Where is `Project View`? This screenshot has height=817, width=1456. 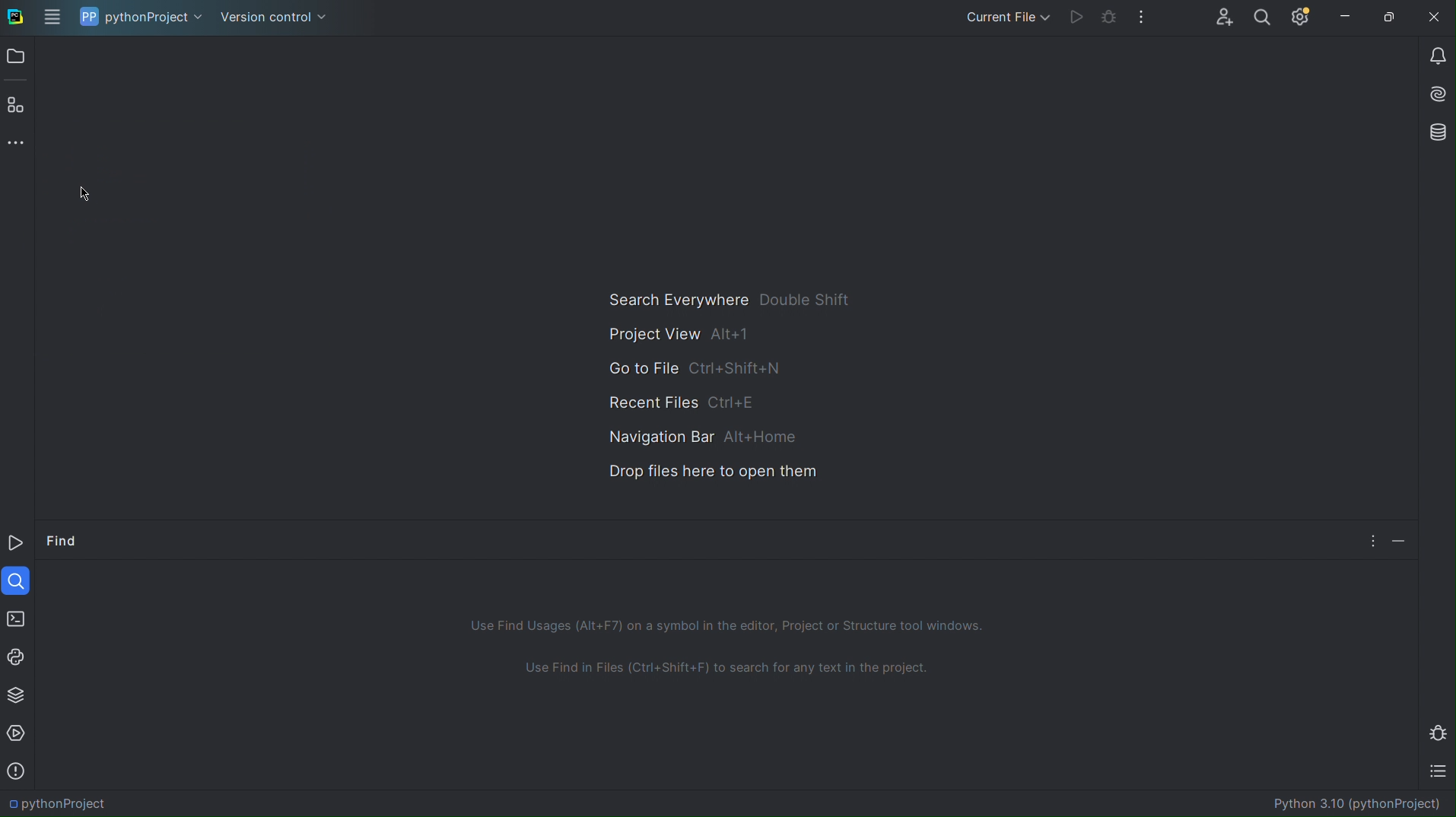
Project View is located at coordinates (678, 335).